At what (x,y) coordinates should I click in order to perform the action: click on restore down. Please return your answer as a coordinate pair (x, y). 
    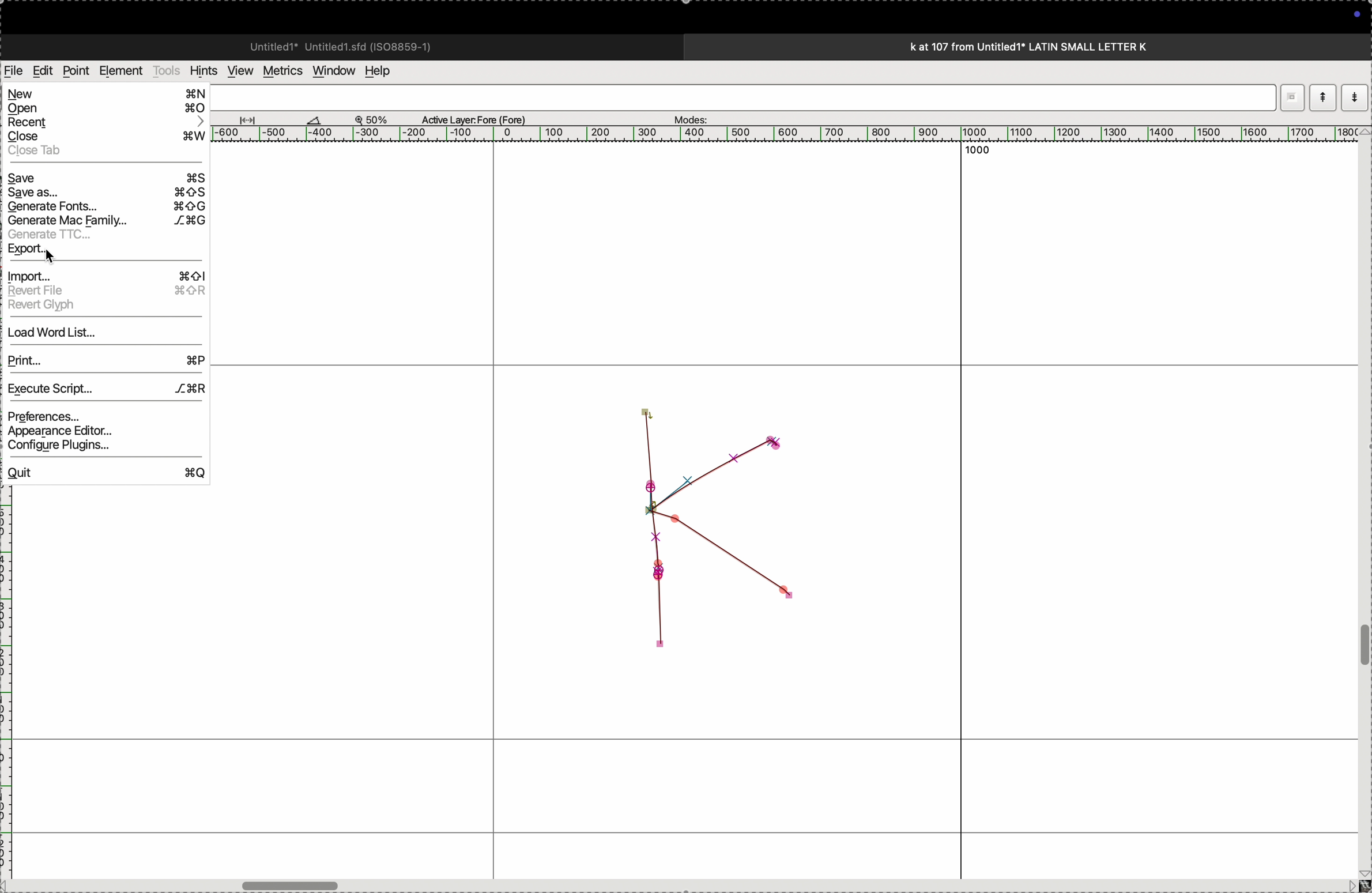
    Looking at the image, I should click on (1292, 96).